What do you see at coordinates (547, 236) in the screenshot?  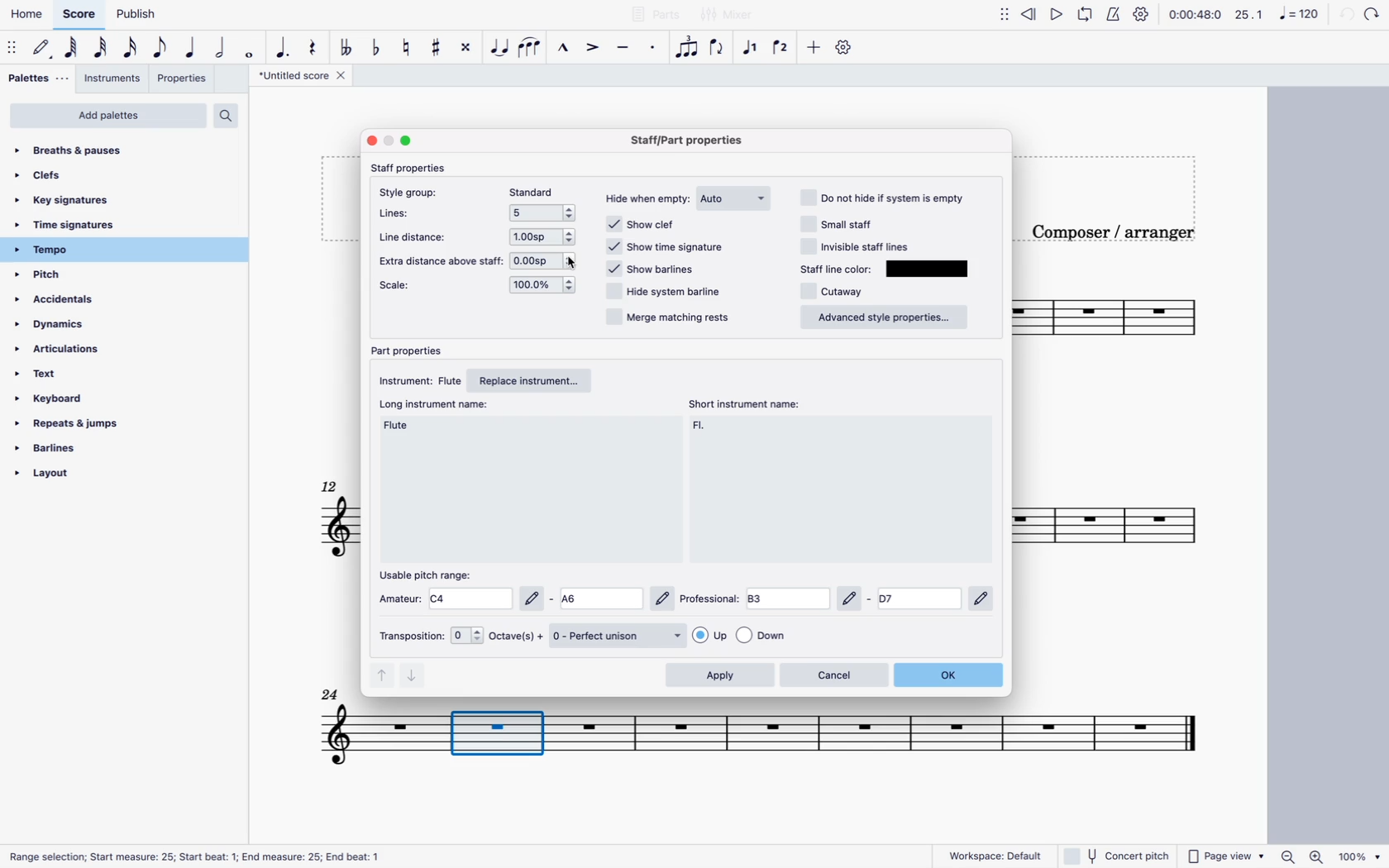 I see `options` at bounding box center [547, 236].